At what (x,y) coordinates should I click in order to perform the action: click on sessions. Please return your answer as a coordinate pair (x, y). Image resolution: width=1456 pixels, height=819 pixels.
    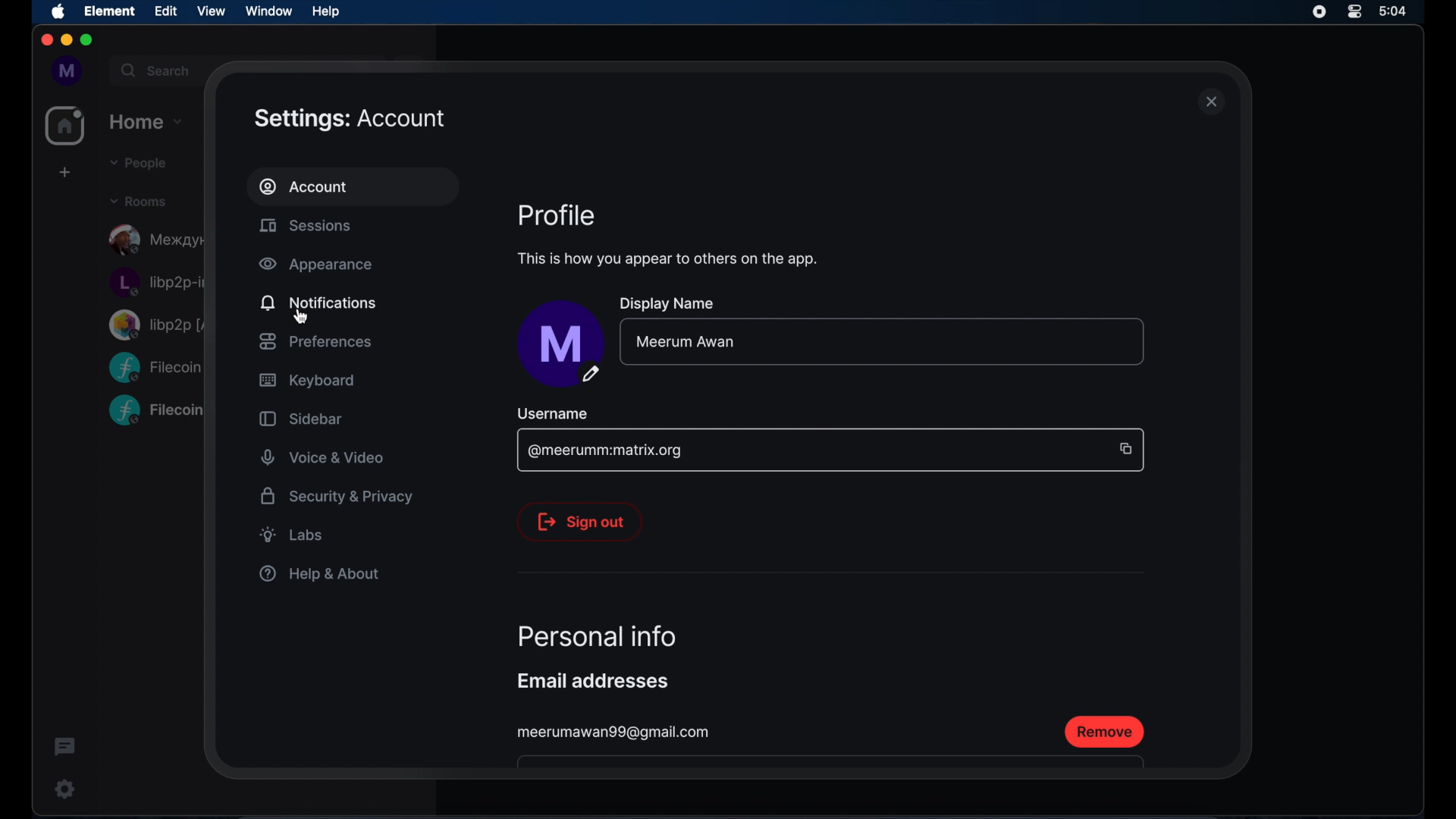
    Looking at the image, I should click on (305, 225).